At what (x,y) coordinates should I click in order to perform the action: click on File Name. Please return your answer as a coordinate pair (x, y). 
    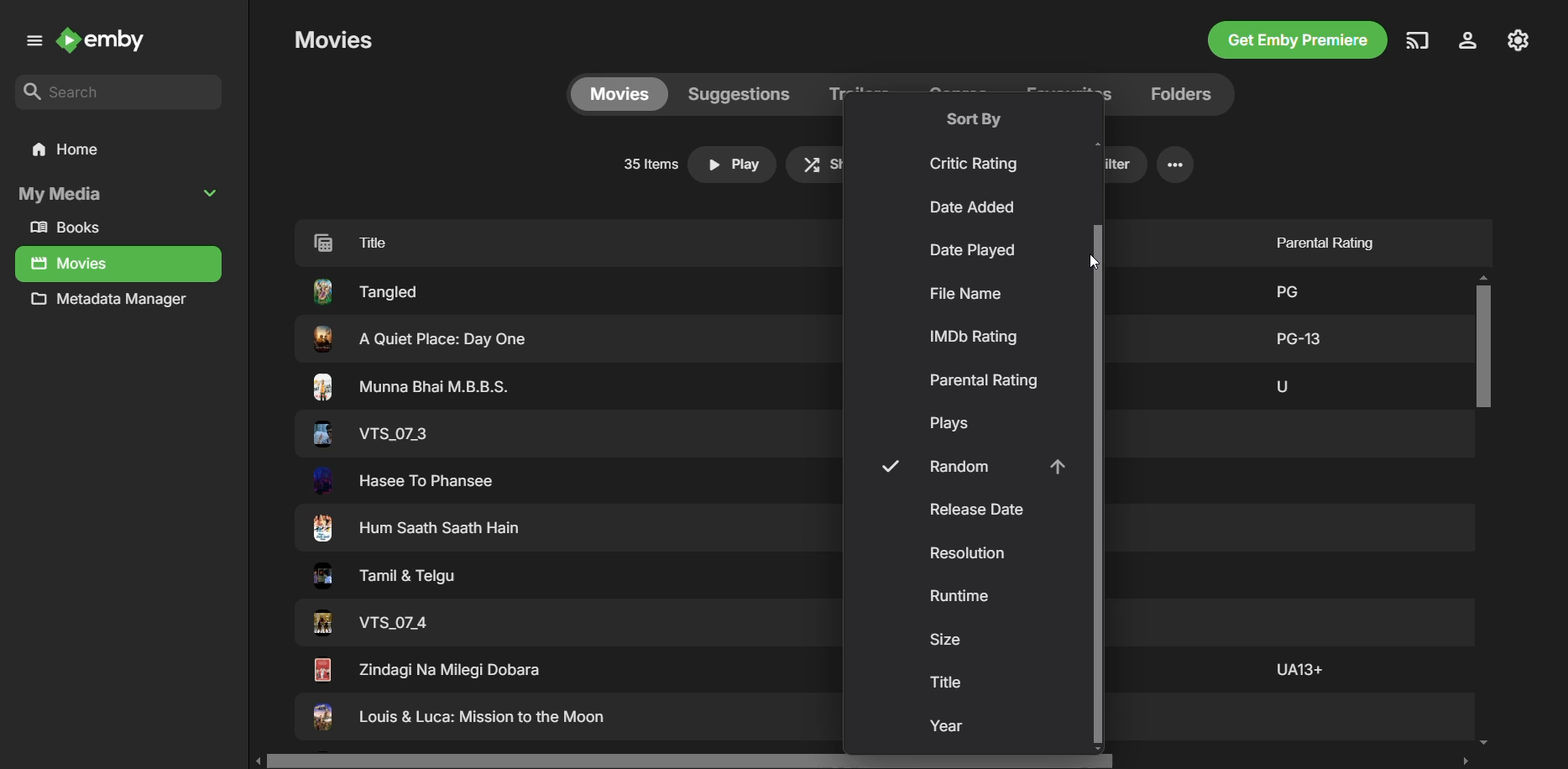
    Looking at the image, I should click on (965, 294).